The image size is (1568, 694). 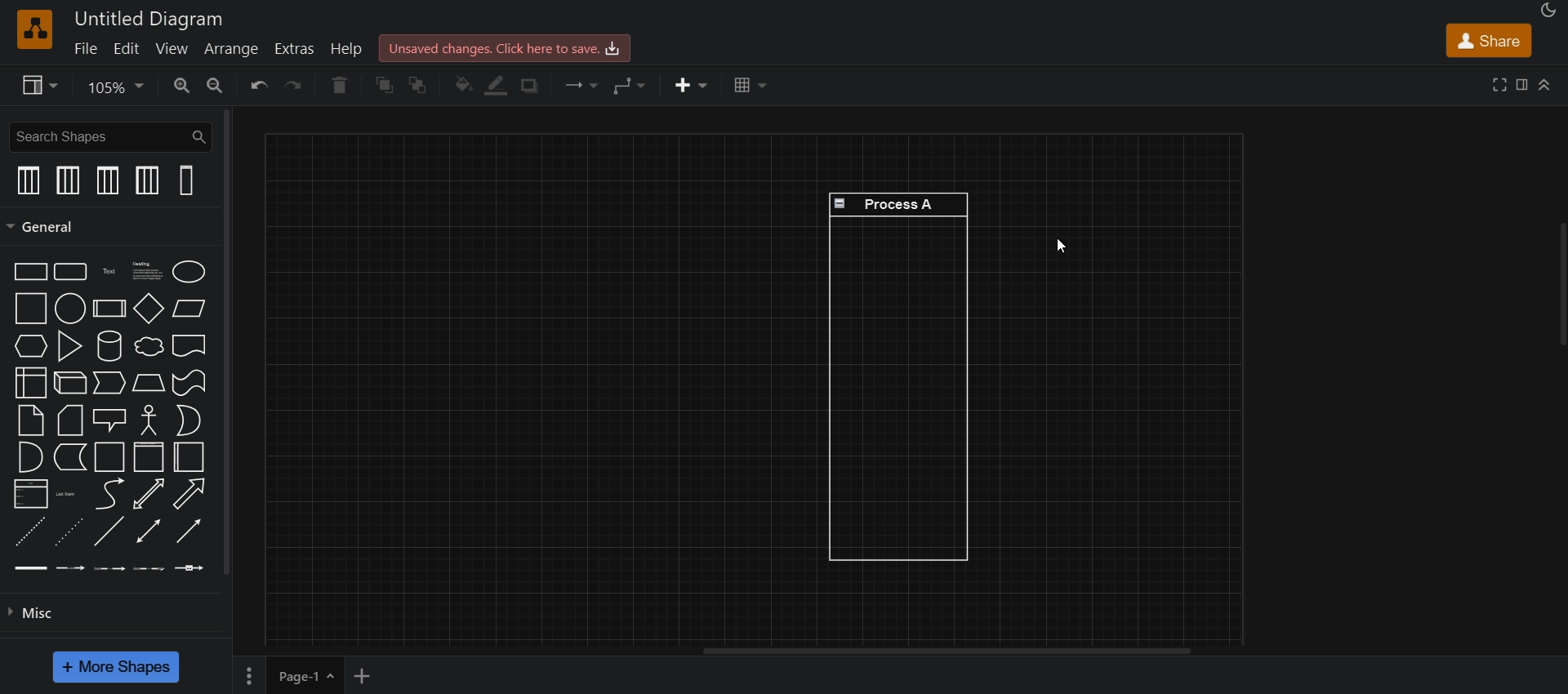 What do you see at coordinates (632, 86) in the screenshot?
I see `waypoints` at bounding box center [632, 86].